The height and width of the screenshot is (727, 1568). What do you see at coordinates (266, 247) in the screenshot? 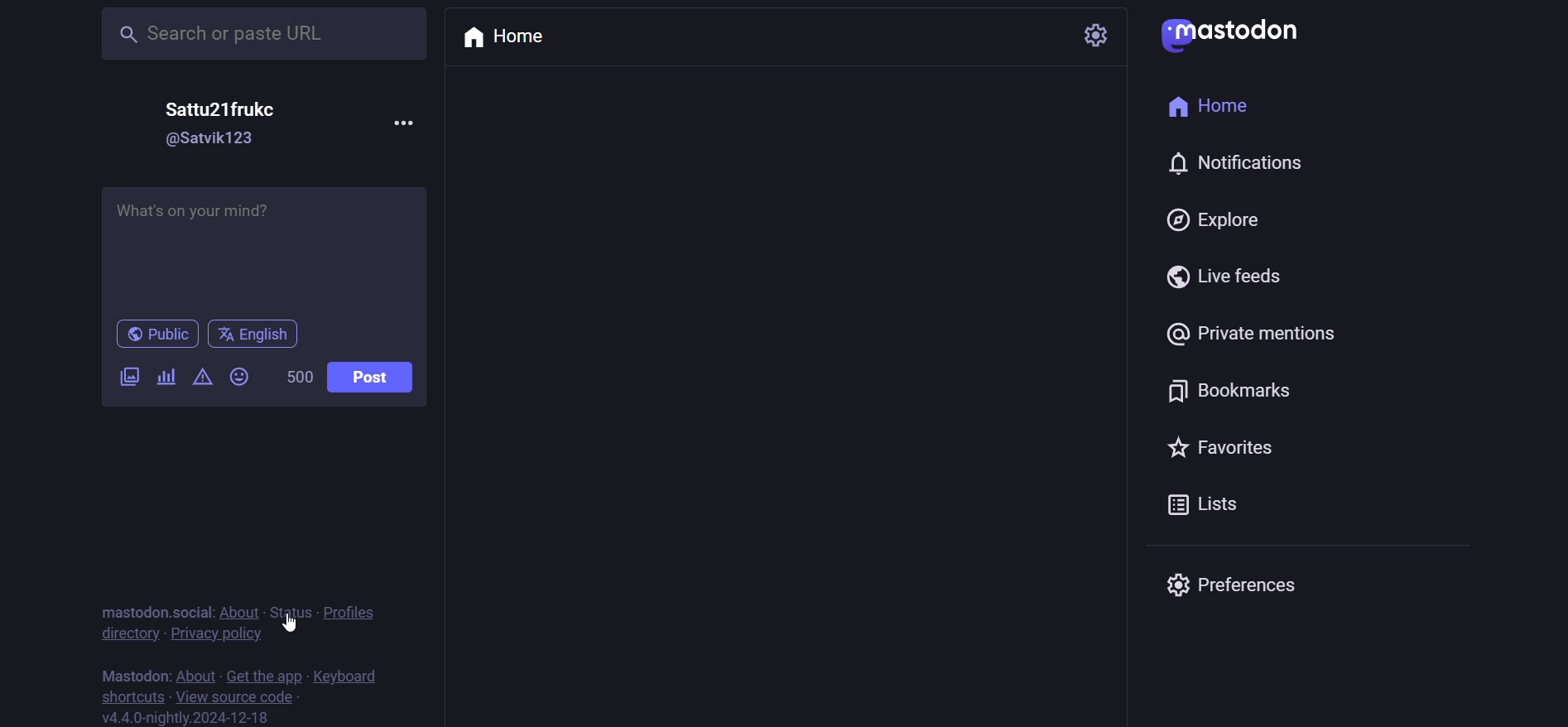
I see `post here` at bounding box center [266, 247].